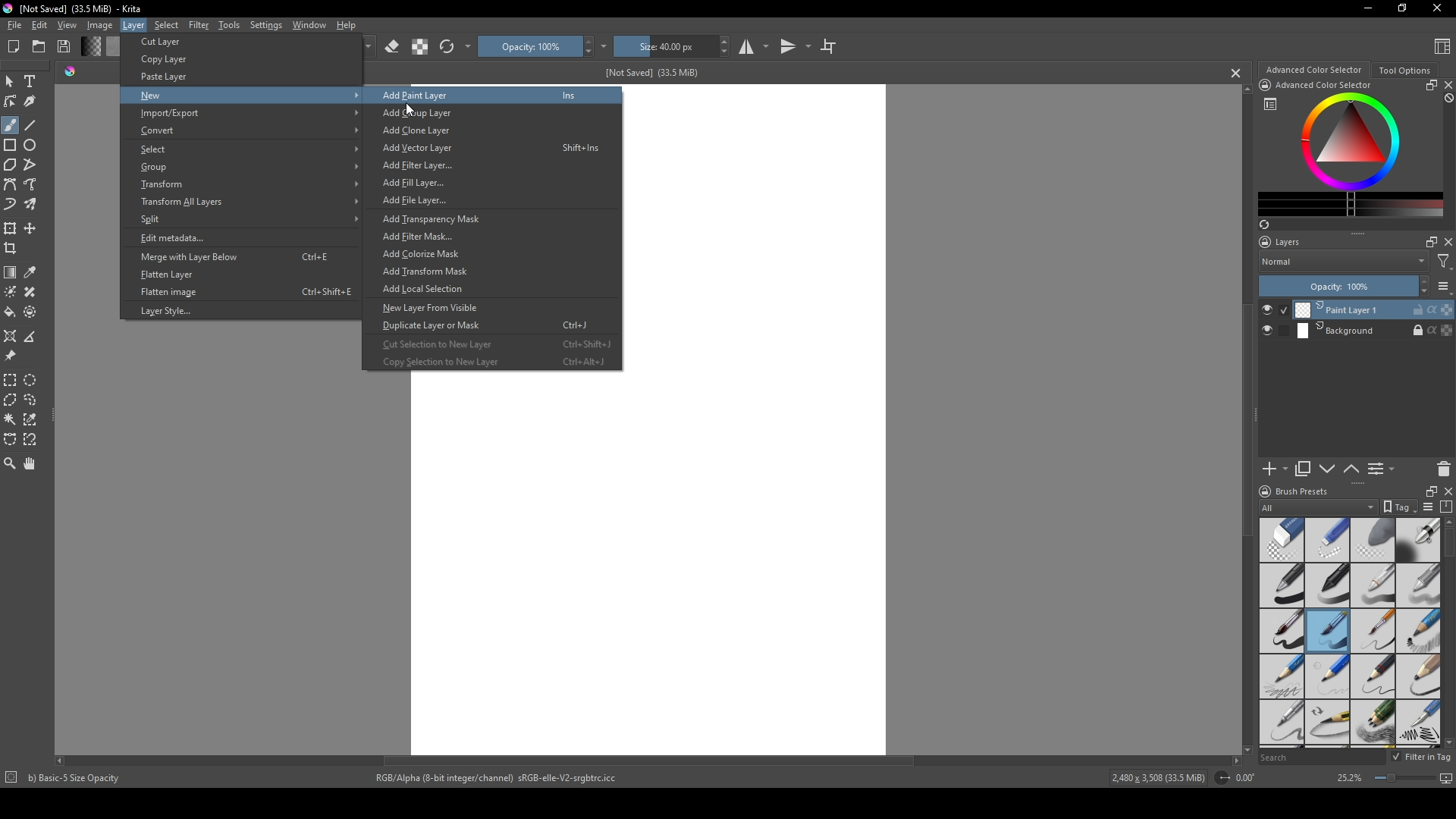 The width and height of the screenshot is (1456, 819). I want to click on block, so click(1447, 99).